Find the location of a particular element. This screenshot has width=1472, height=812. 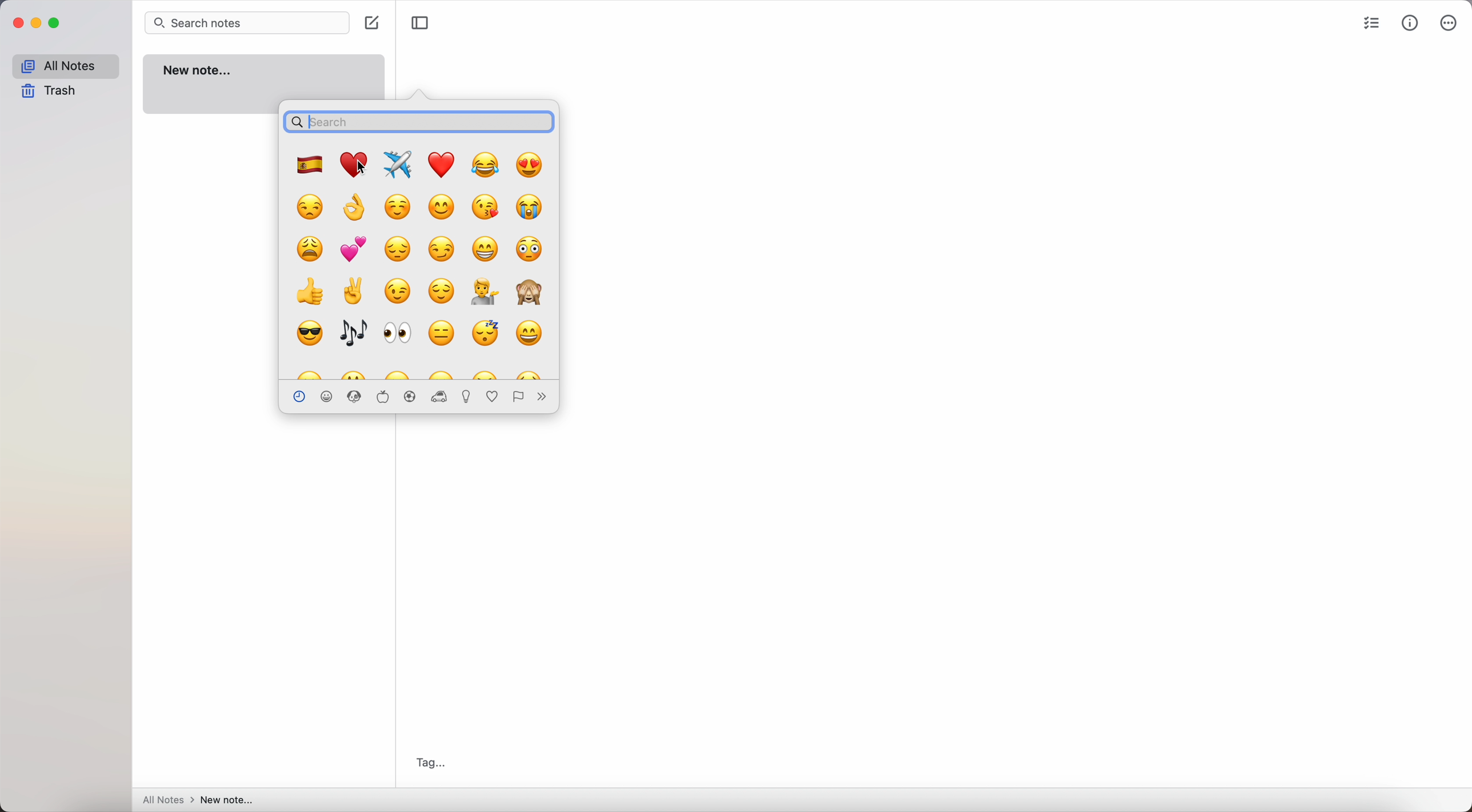

emoji is located at coordinates (356, 373).